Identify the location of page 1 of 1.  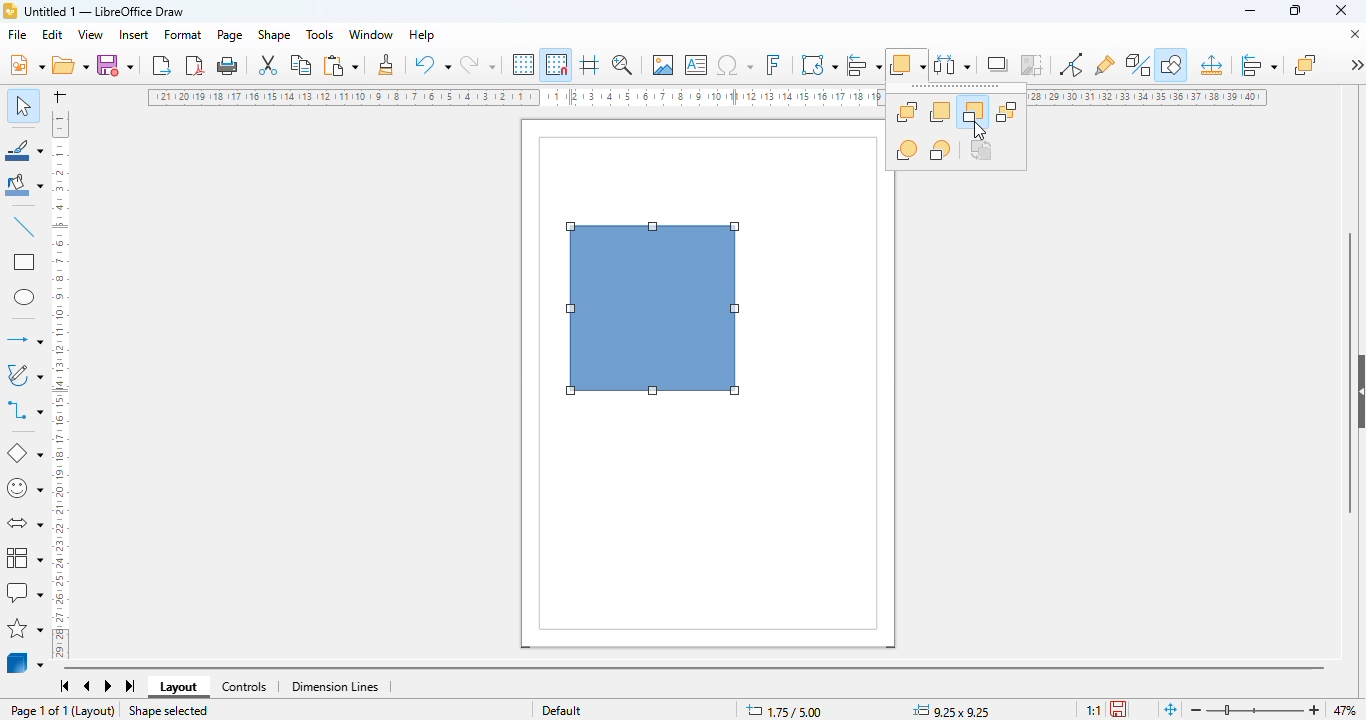
(39, 710).